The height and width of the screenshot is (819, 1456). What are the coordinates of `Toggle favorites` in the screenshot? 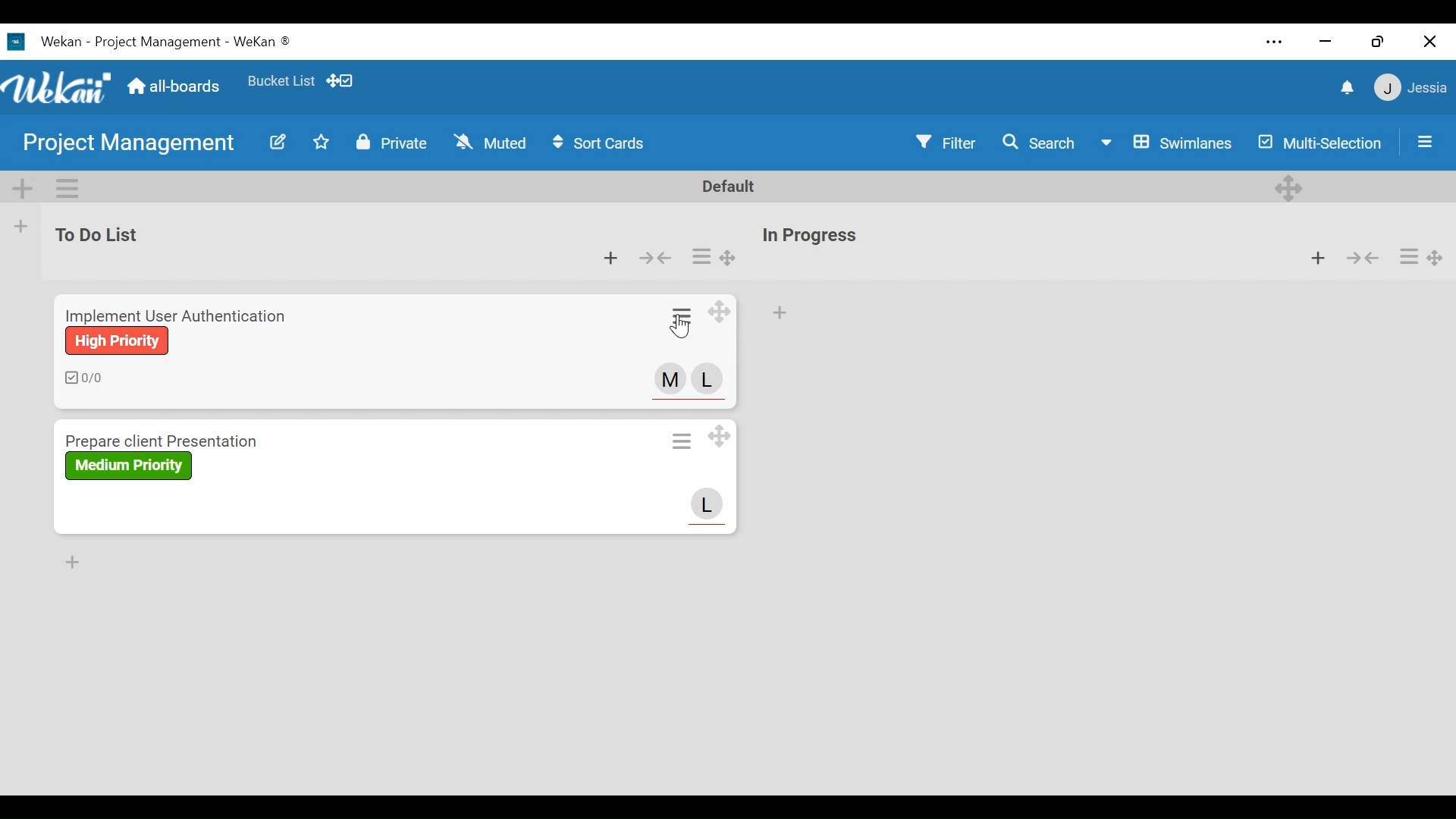 It's located at (322, 142).